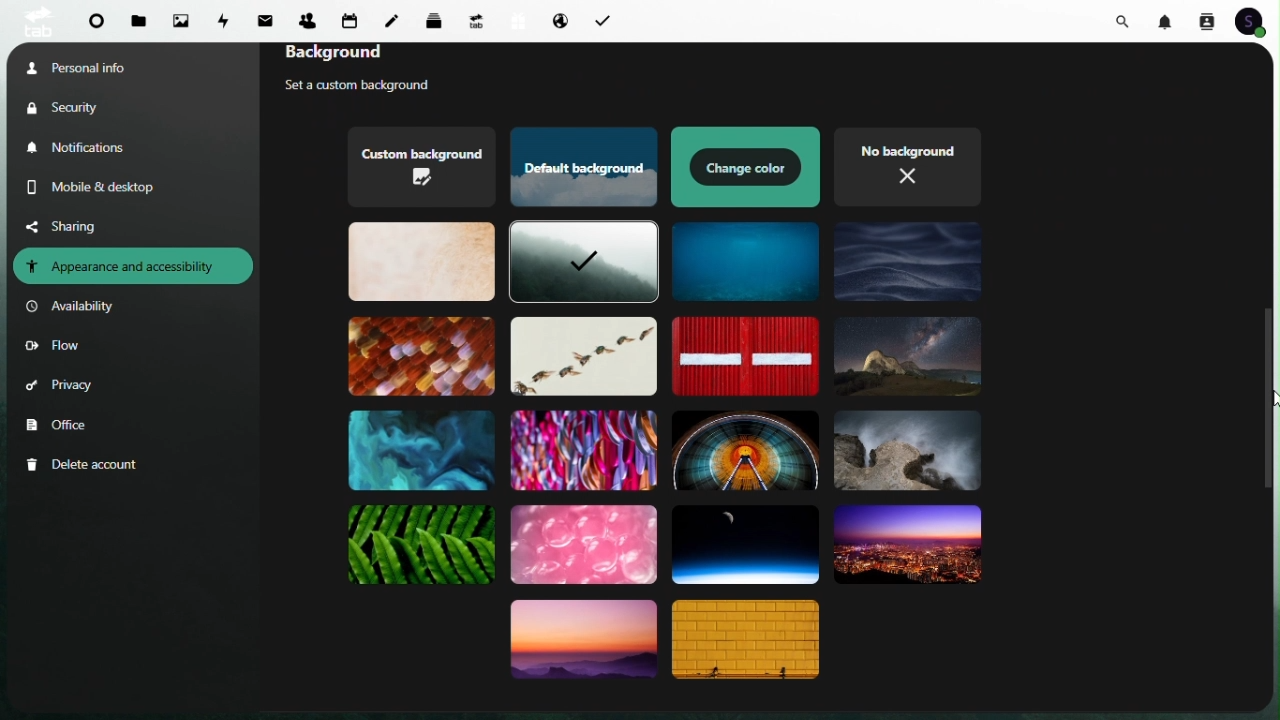  What do you see at coordinates (133, 265) in the screenshot?
I see `Appearance and visibility` at bounding box center [133, 265].